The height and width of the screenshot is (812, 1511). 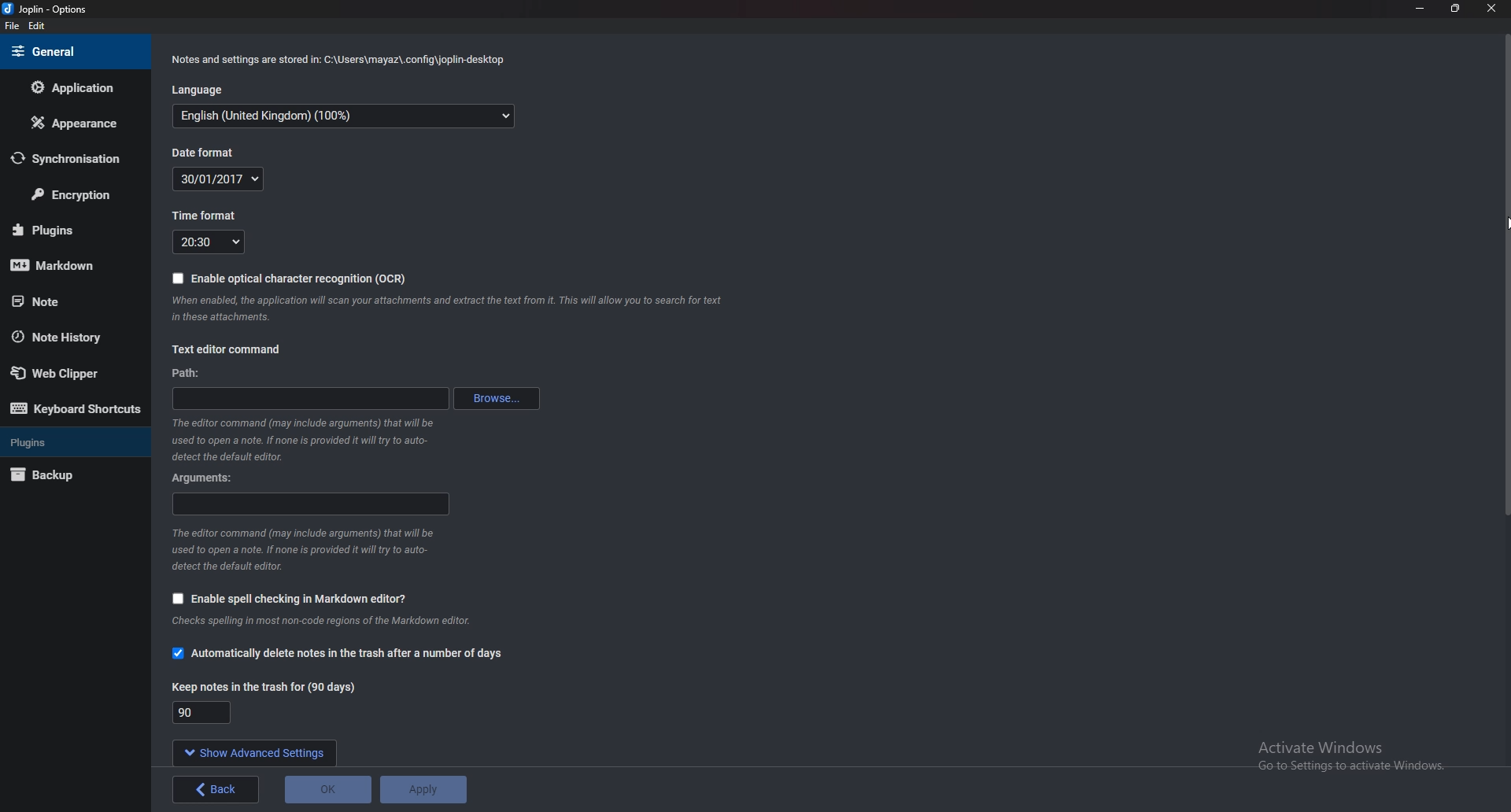 What do you see at coordinates (72, 196) in the screenshot?
I see `Encryption` at bounding box center [72, 196].